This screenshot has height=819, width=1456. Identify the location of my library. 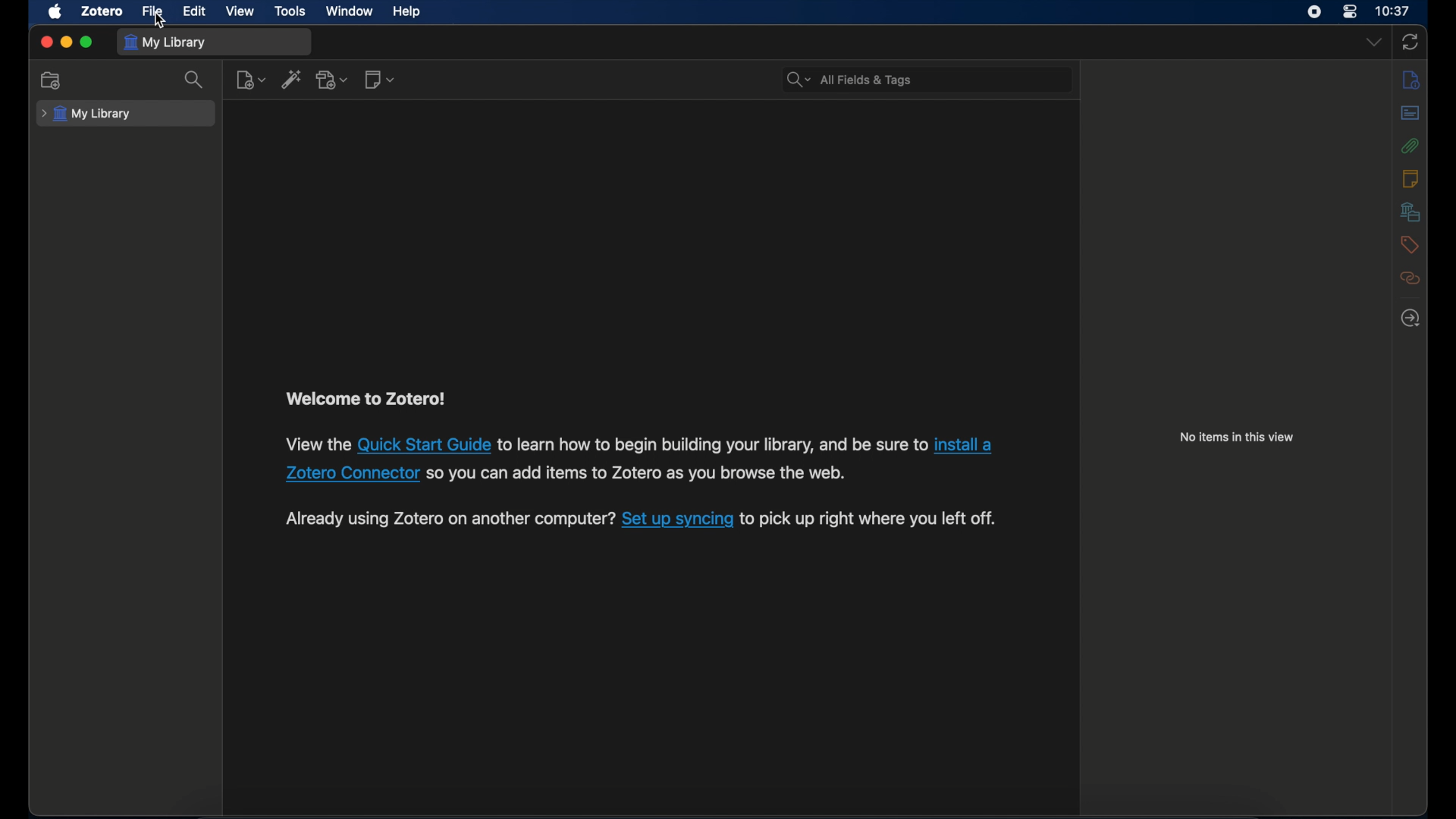
(167, 43).